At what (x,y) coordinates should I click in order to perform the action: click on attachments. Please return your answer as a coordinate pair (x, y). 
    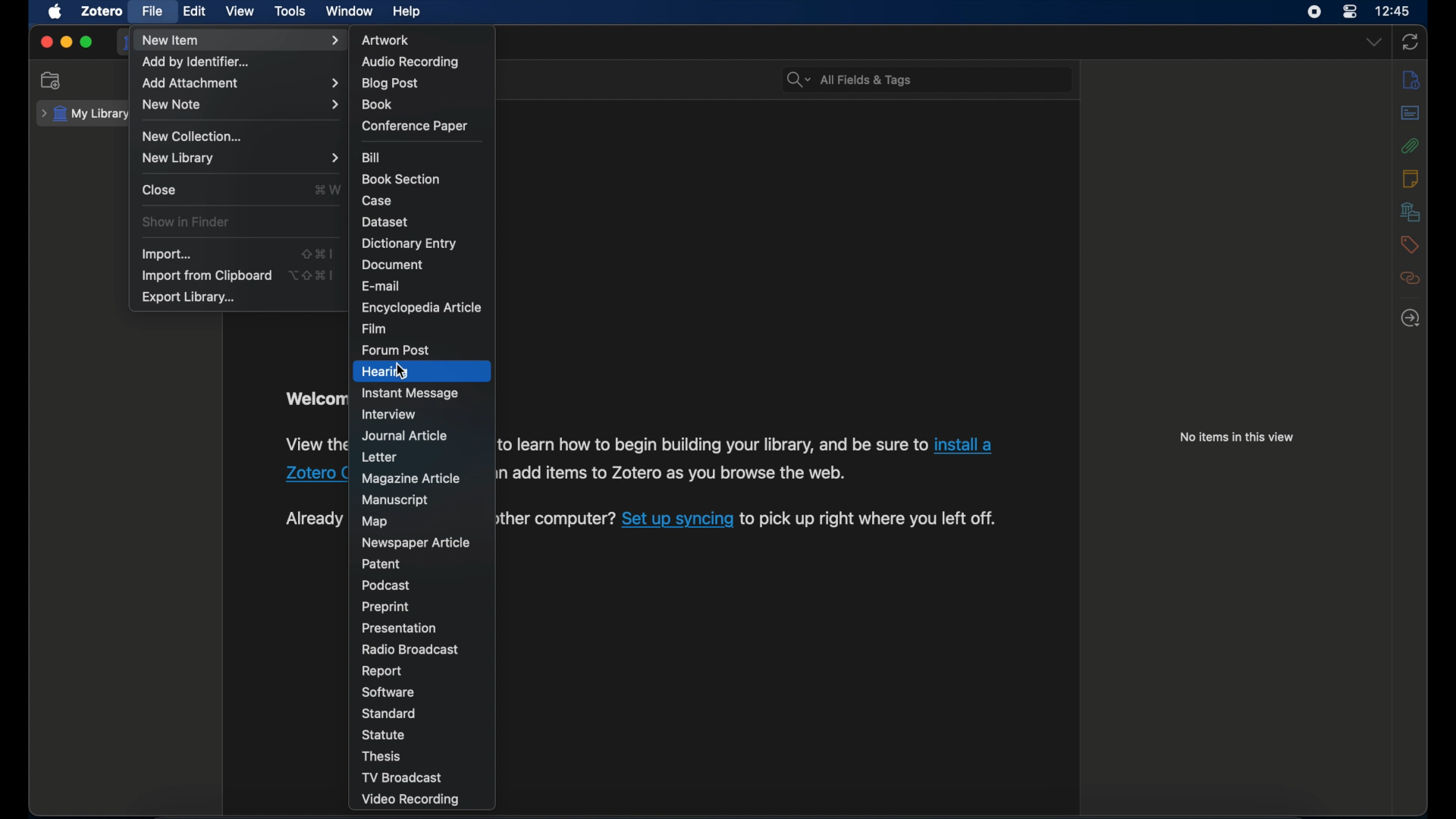
    Looking at the image, I should click on (1411, 146).